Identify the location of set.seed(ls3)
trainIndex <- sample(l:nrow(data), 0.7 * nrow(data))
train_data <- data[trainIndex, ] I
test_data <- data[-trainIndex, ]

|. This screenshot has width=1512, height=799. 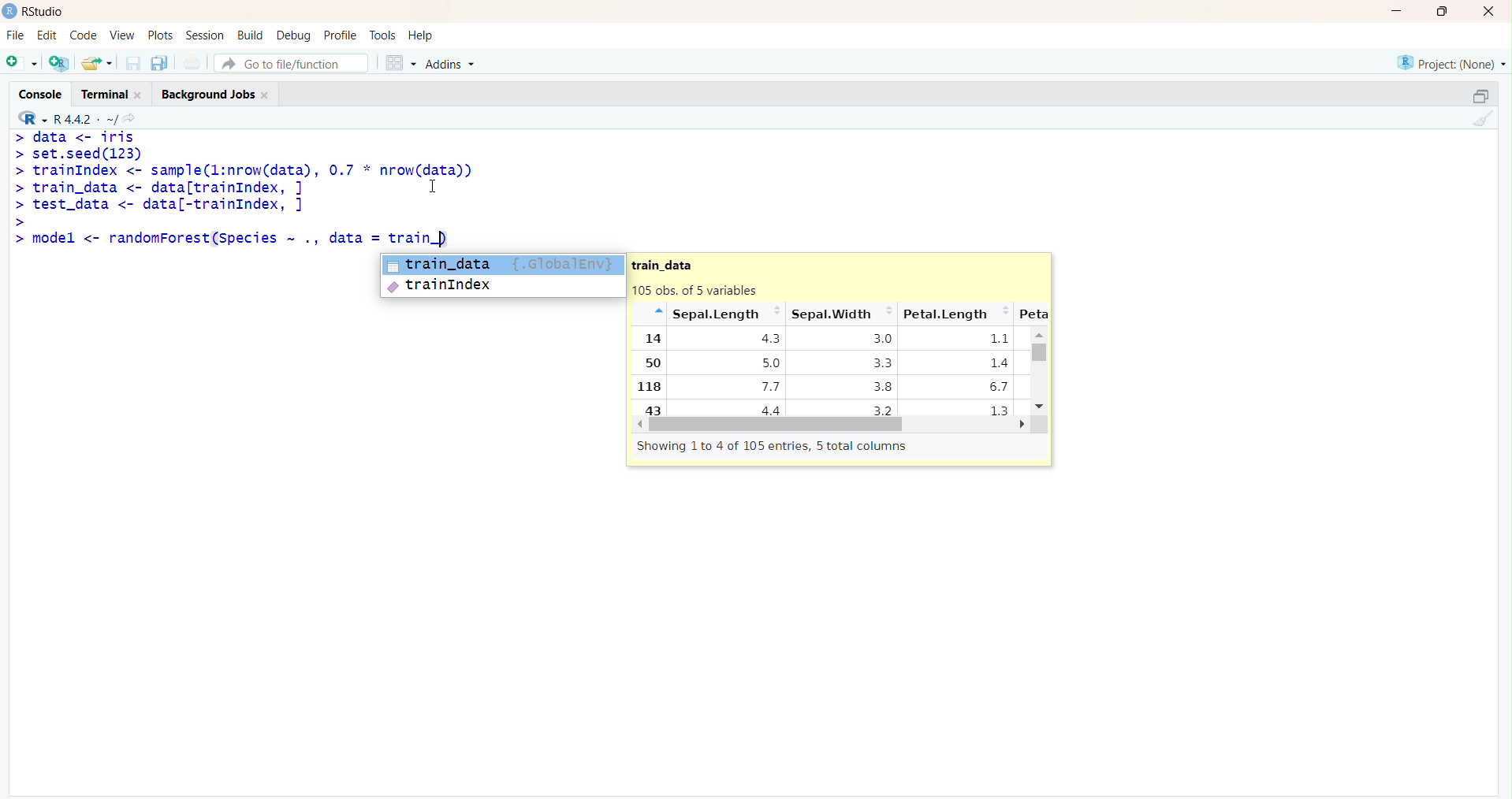
(260, 180).